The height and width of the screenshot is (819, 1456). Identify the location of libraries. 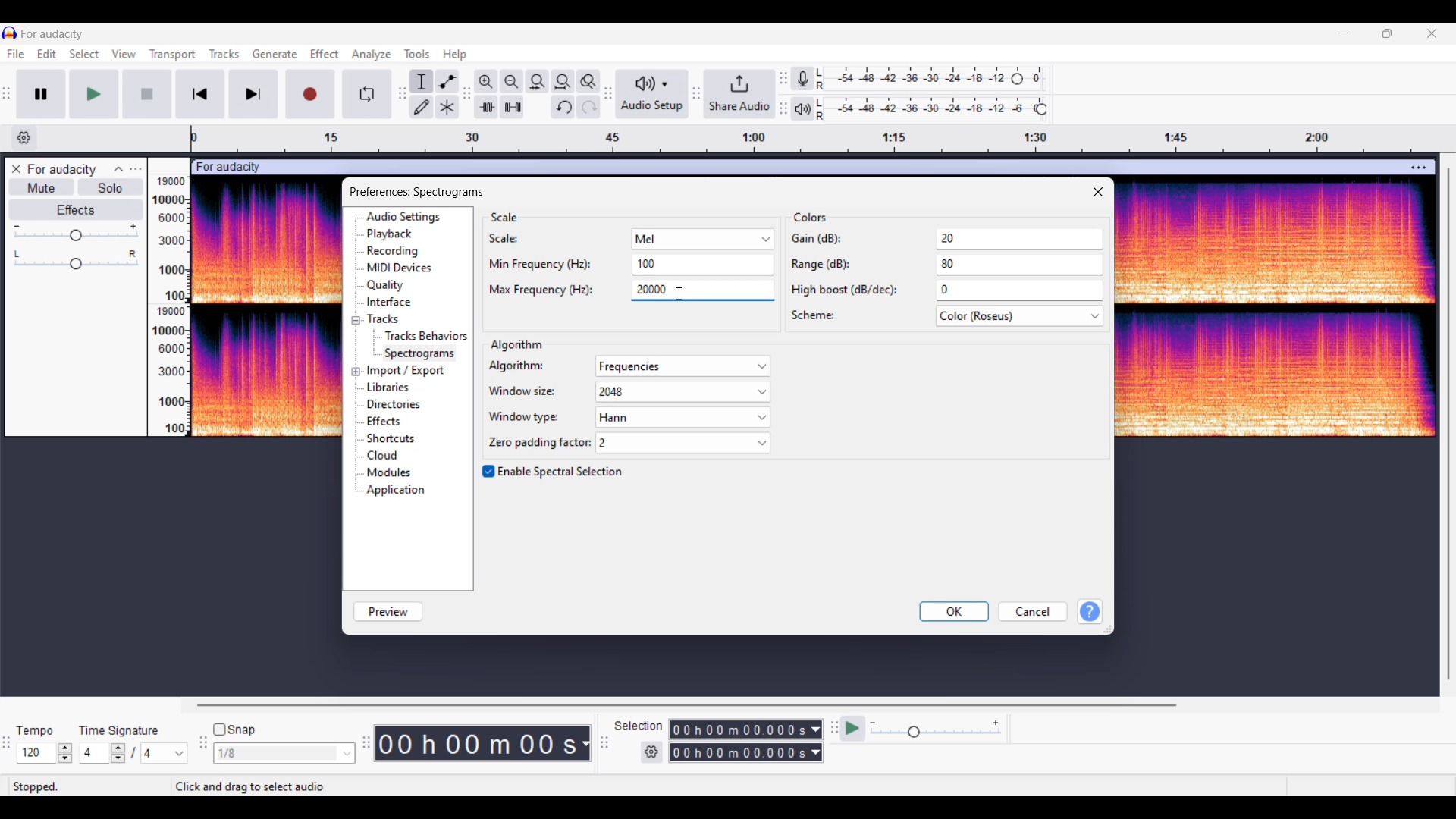
(391, 388).